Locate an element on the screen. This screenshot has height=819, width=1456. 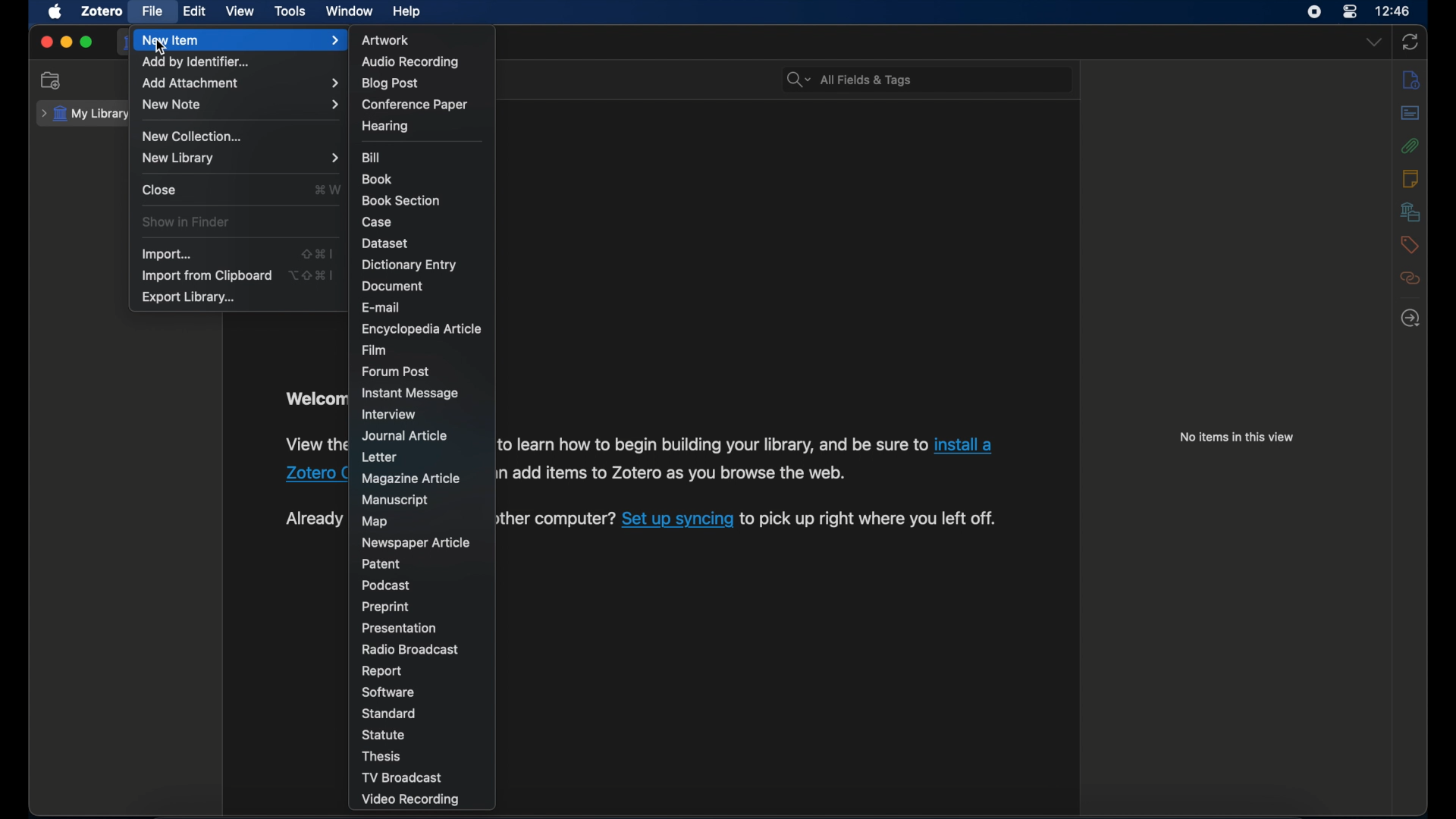
shortcut is located at coordinates (315, 254).